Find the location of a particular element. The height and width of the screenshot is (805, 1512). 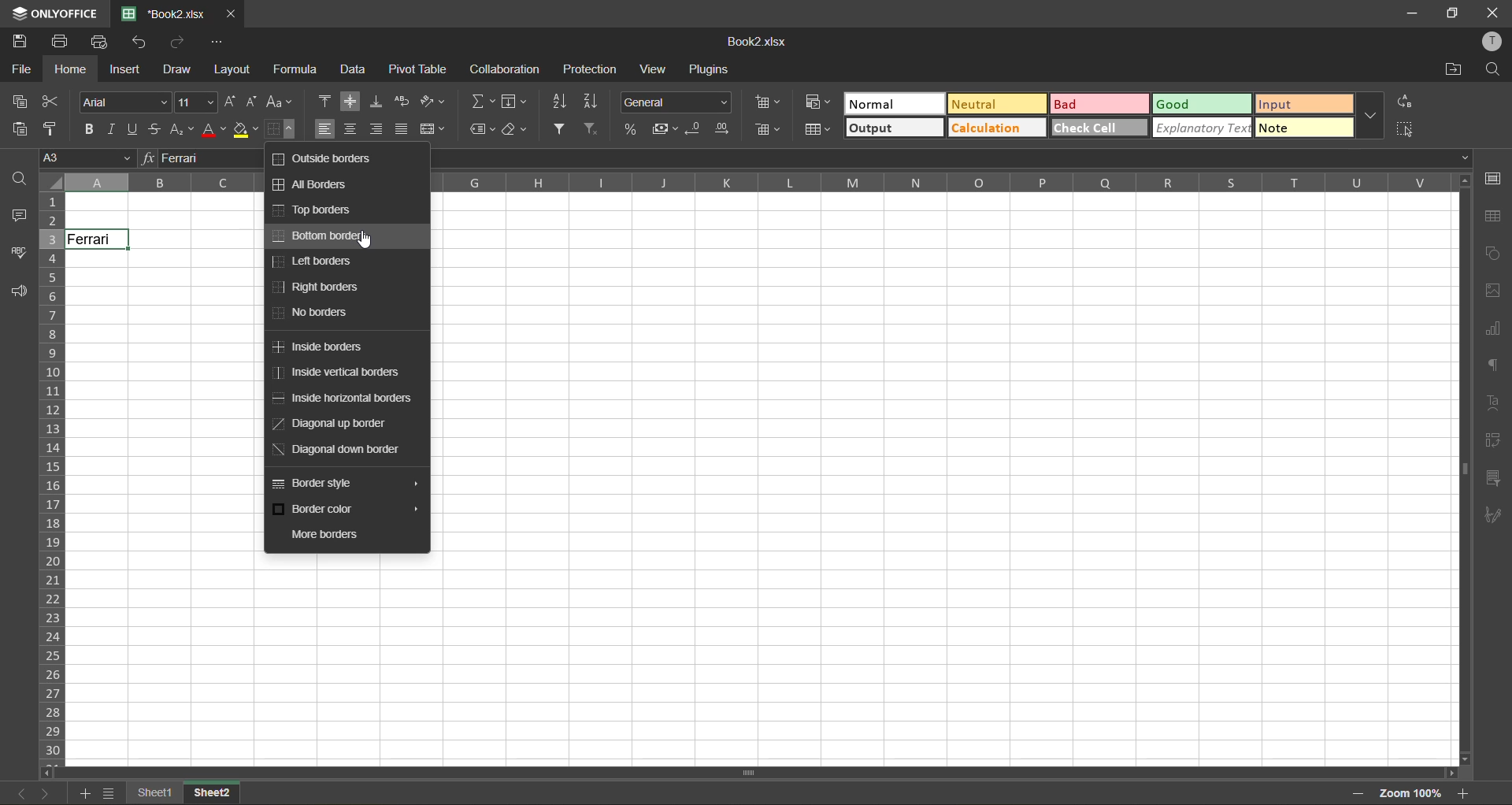

sheet list is located at coordinates (108, 793).